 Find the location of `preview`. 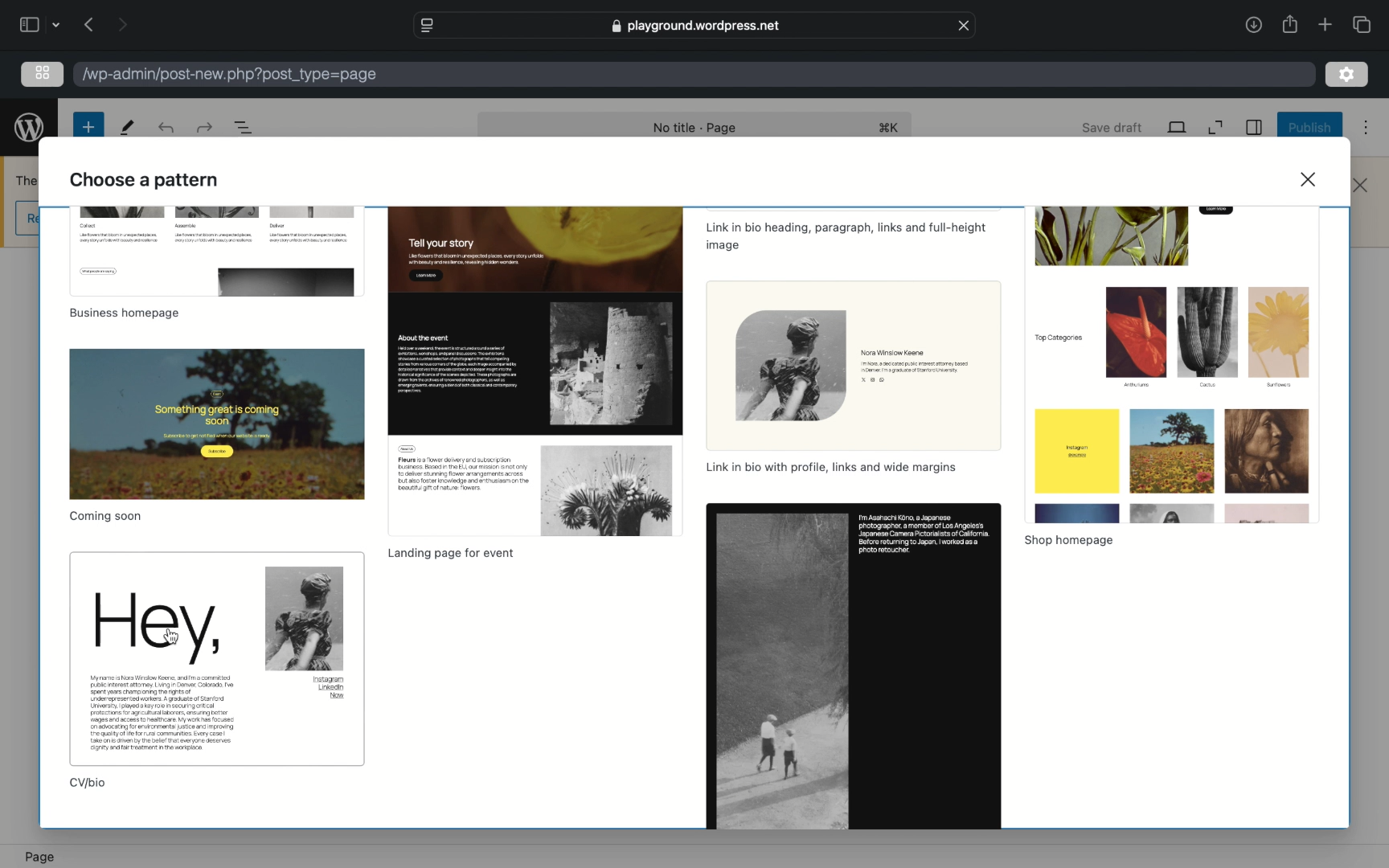

preview is located at coordinates (217, 424).